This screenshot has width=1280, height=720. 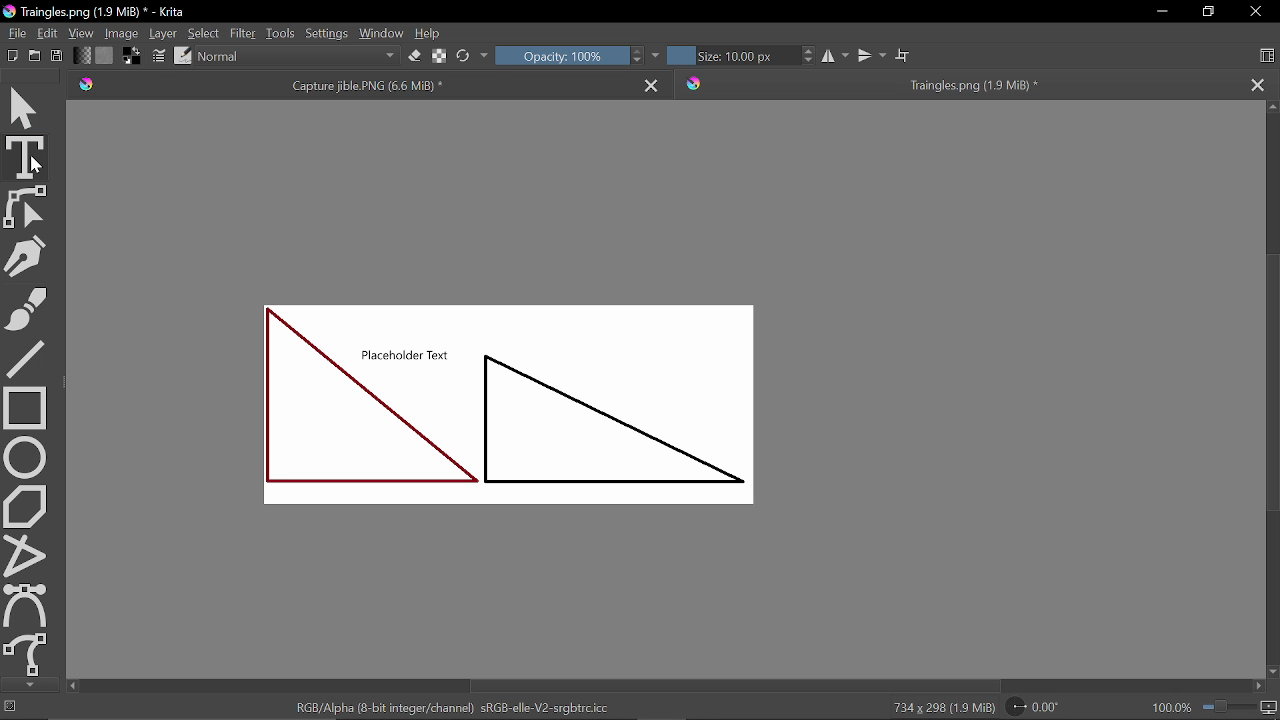 I want to click on Window, so click(x=380, y=33).